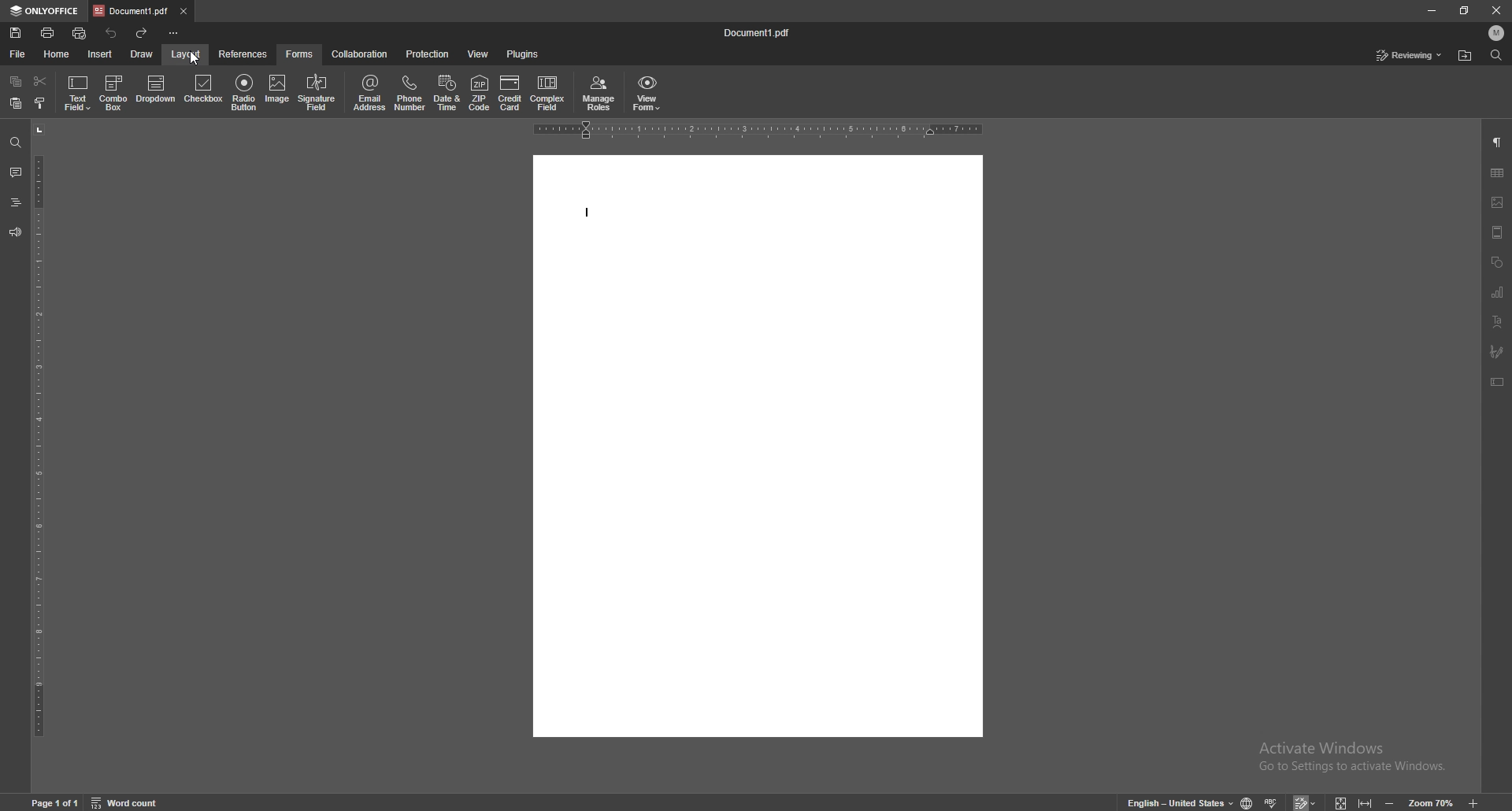 Image resolution: width=1512 pixels, height=811 pixels. What do you see at coordinates (35, 430) in the screenshot?
I see `vertical scale` at bounding box center [35, 430].